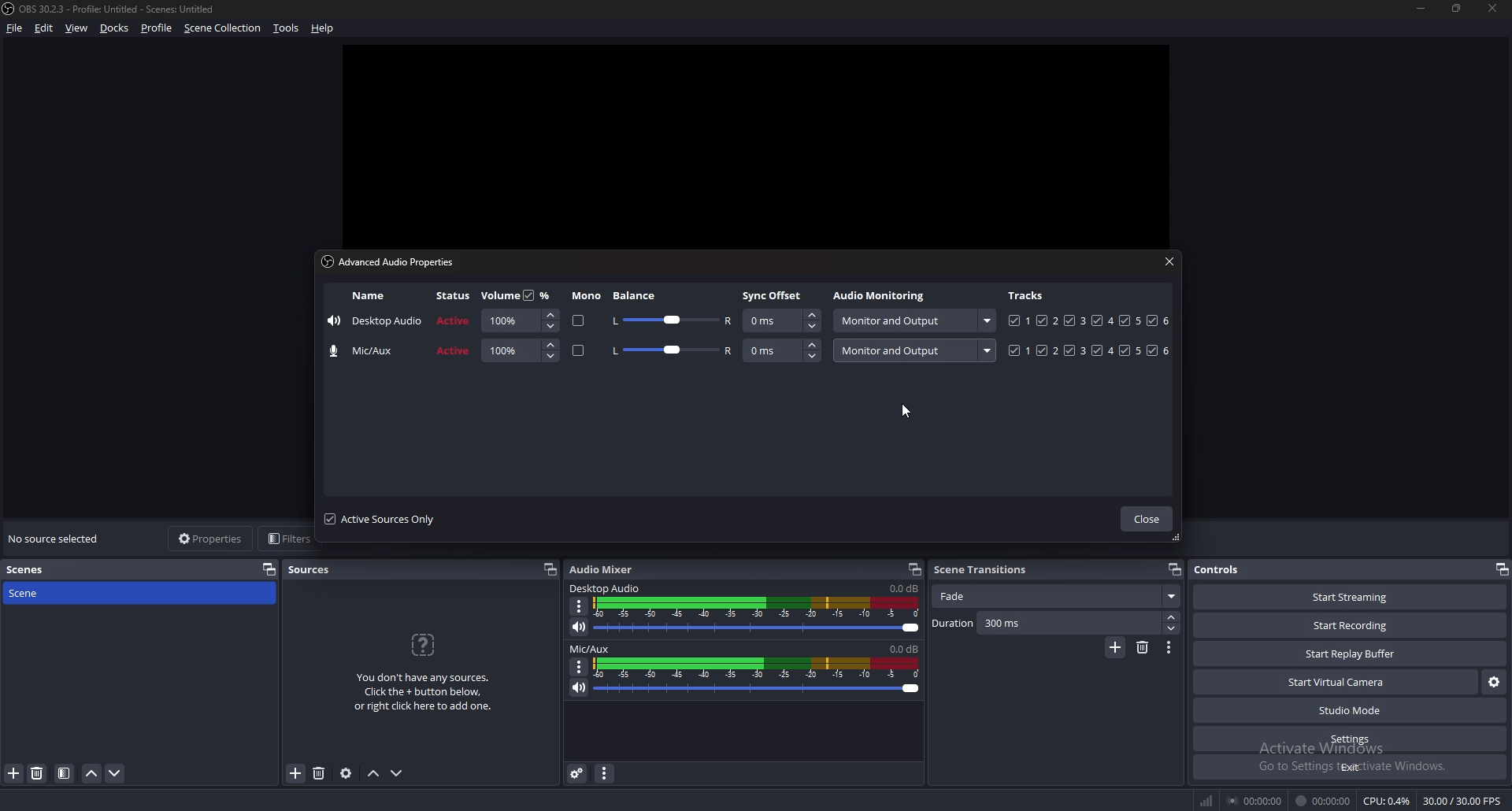 Image resolution: width=1512 pixels, height=811 pixels. Describe the element at coordinates (1142, 648) in the screenshot. I see `remove transition` at that location.